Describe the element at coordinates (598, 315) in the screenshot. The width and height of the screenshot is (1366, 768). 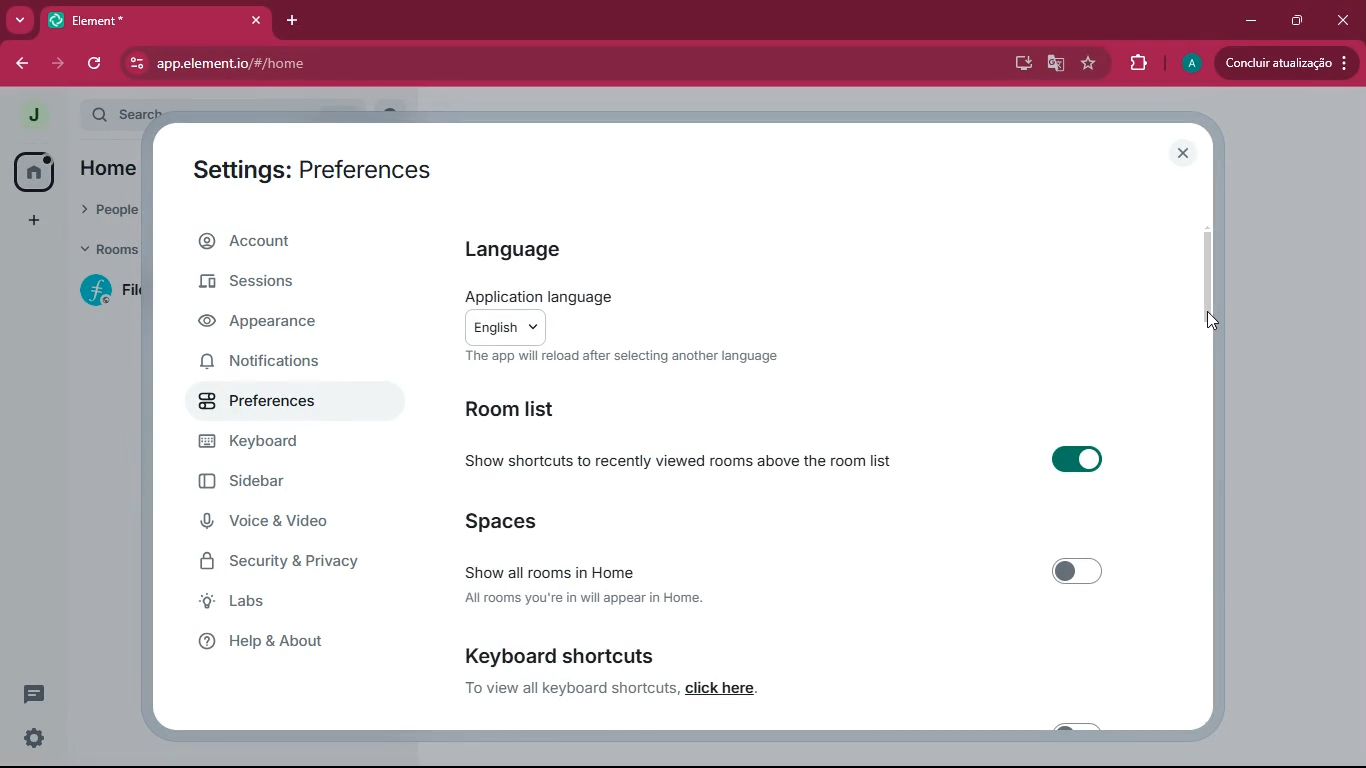
I see `application language` at that location.